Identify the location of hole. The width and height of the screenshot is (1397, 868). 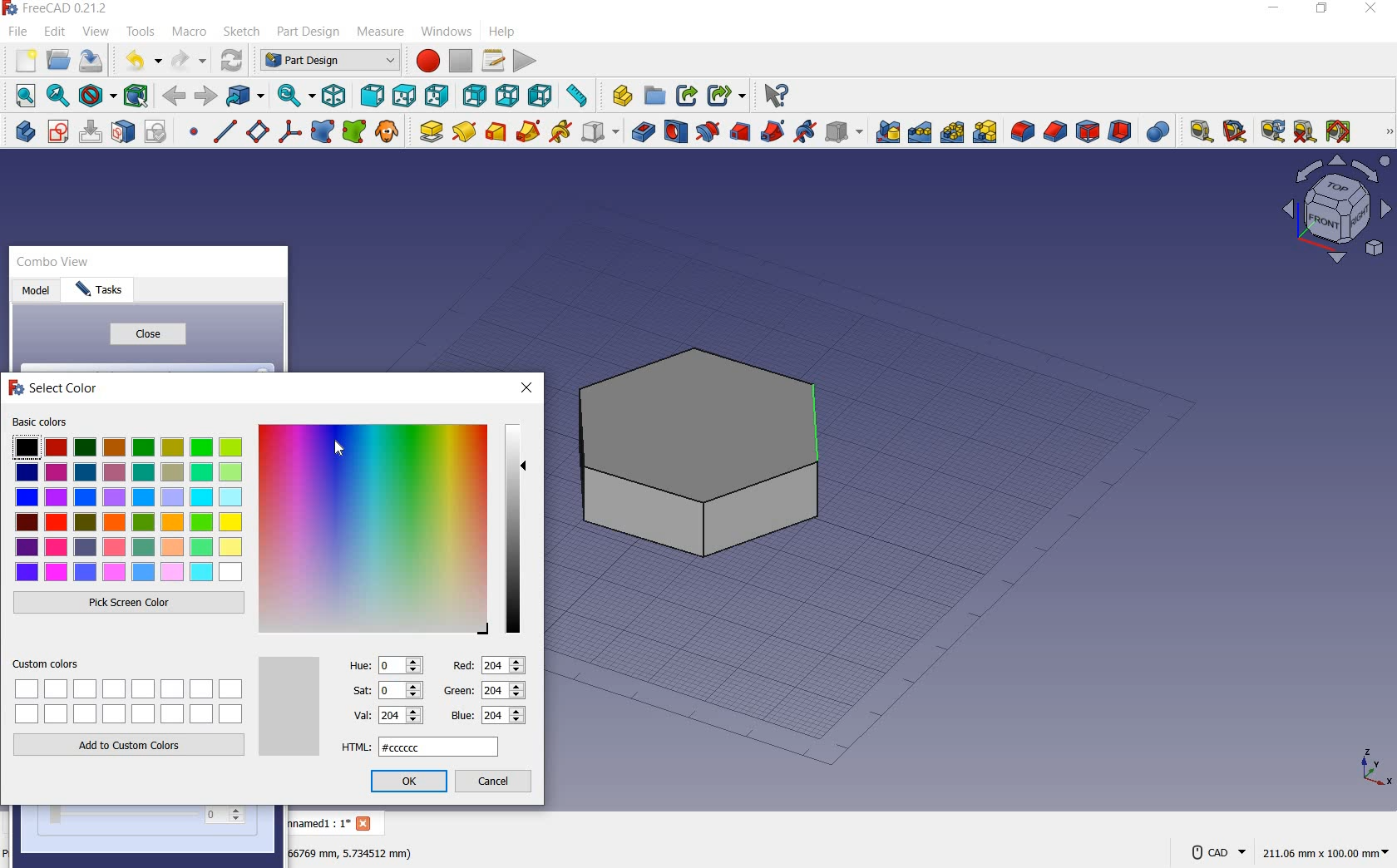
(674, 131).